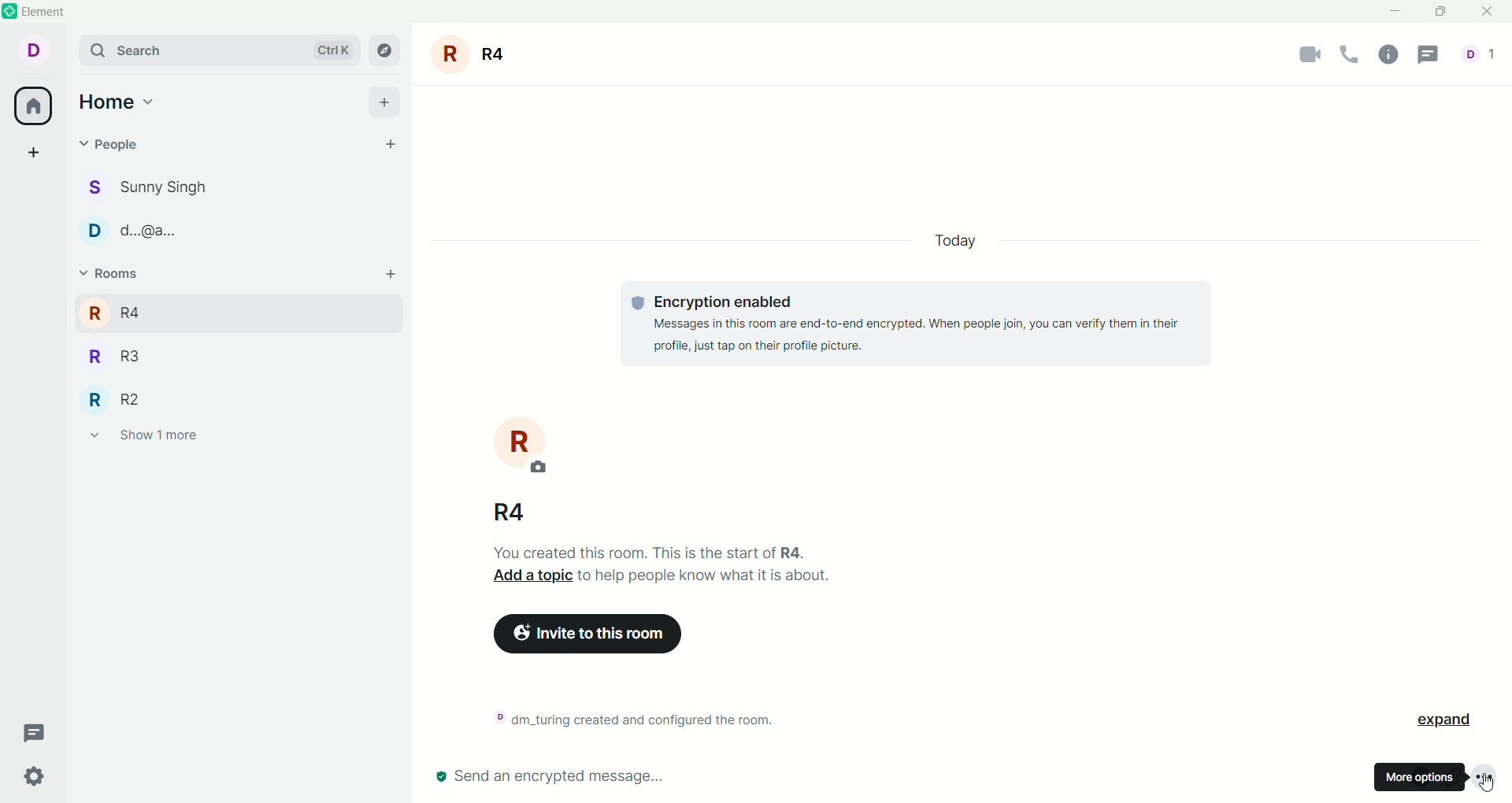  Describe the element at coordinates (117, 103) in the screenshot. I see `home` at that location.